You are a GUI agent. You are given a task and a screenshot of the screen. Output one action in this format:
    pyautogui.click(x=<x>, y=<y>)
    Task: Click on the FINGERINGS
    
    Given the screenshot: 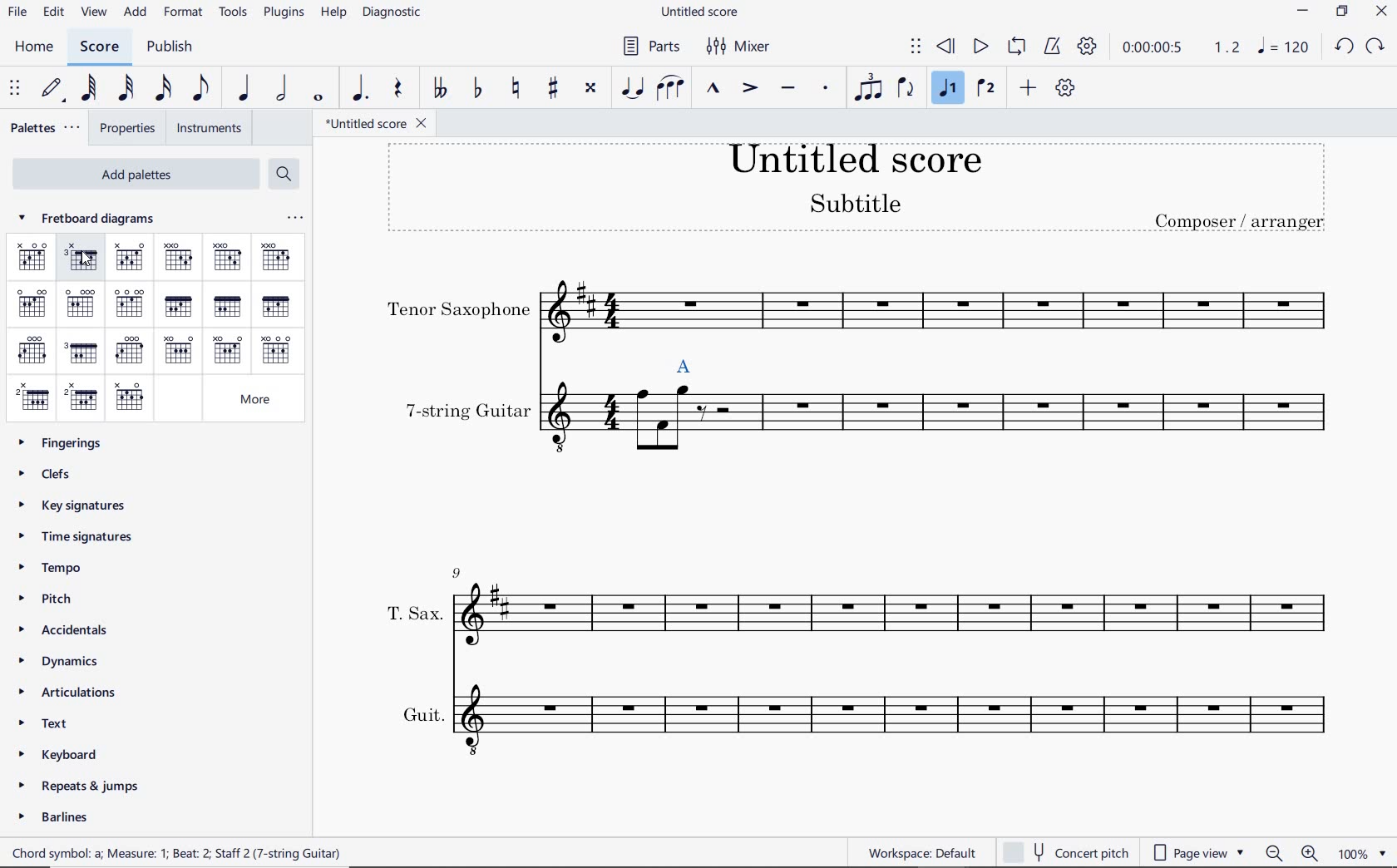 What is the action you would take?
    pyautogui.click(x=65, y=442)
    